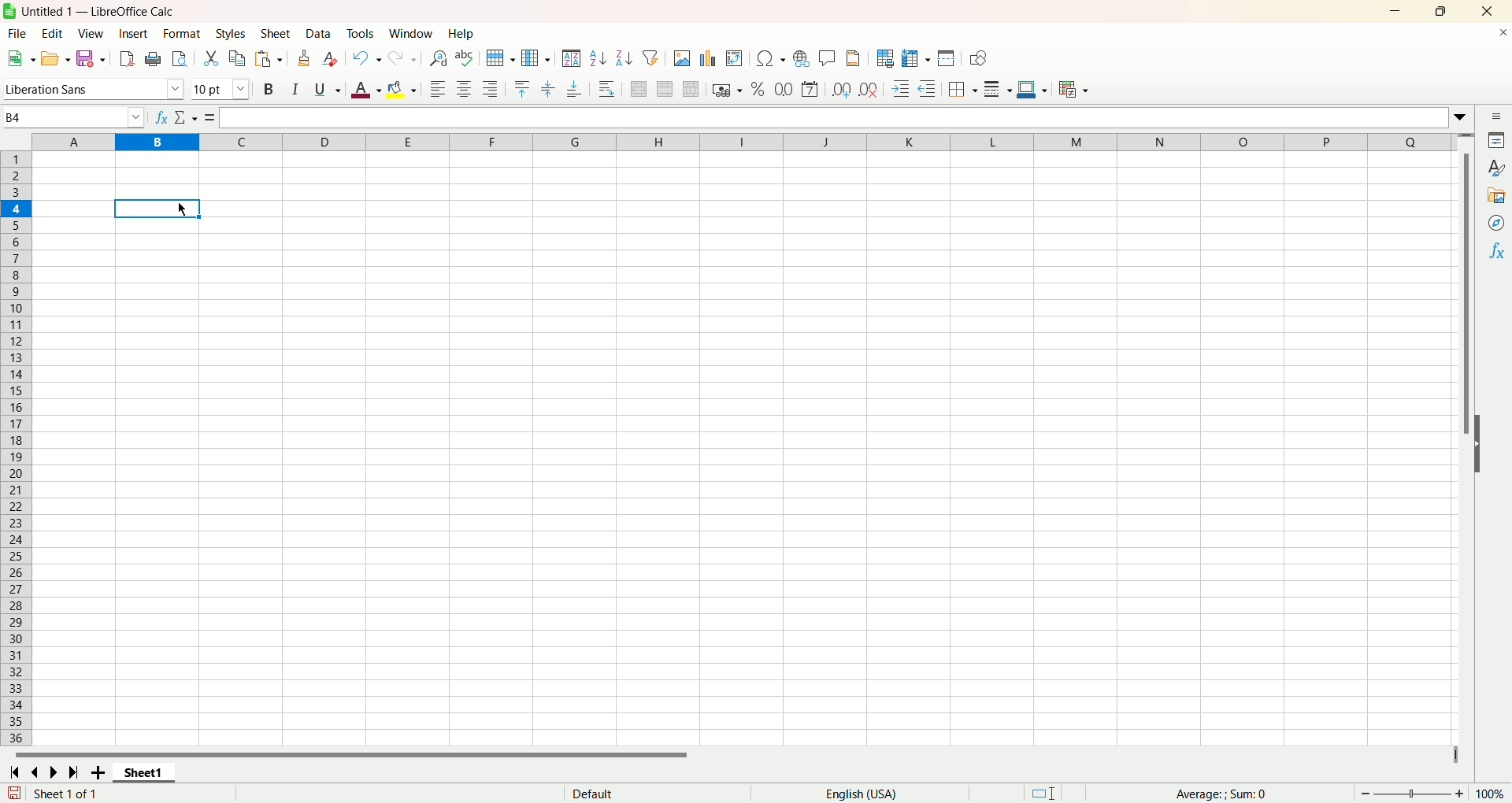  What do you see at coordinates (1497, 168) in the screenshot?
I see `styles` at bounding box center [1497, 168].